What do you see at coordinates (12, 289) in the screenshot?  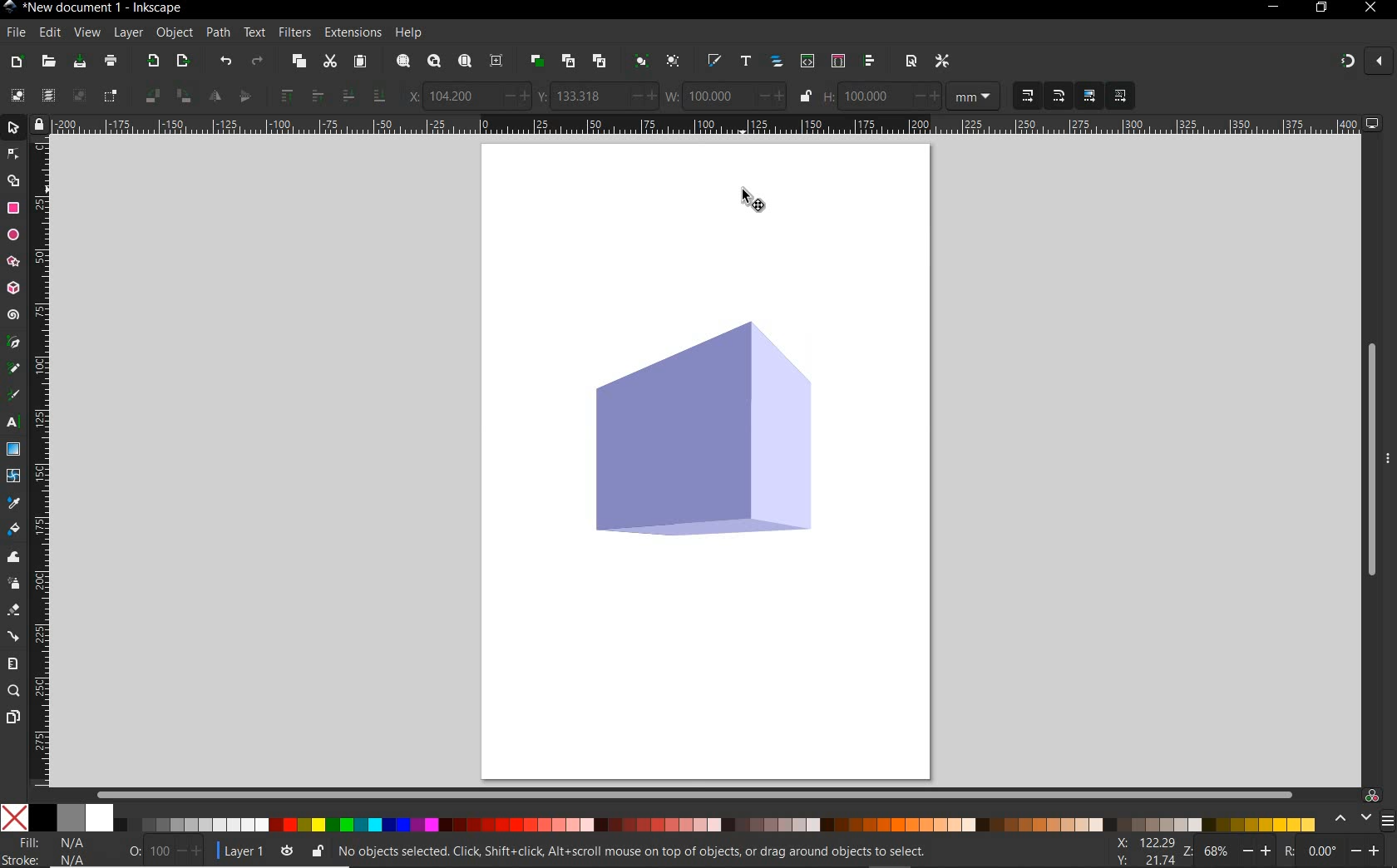 I see `3d box tool` at bounding box center [12, 289].